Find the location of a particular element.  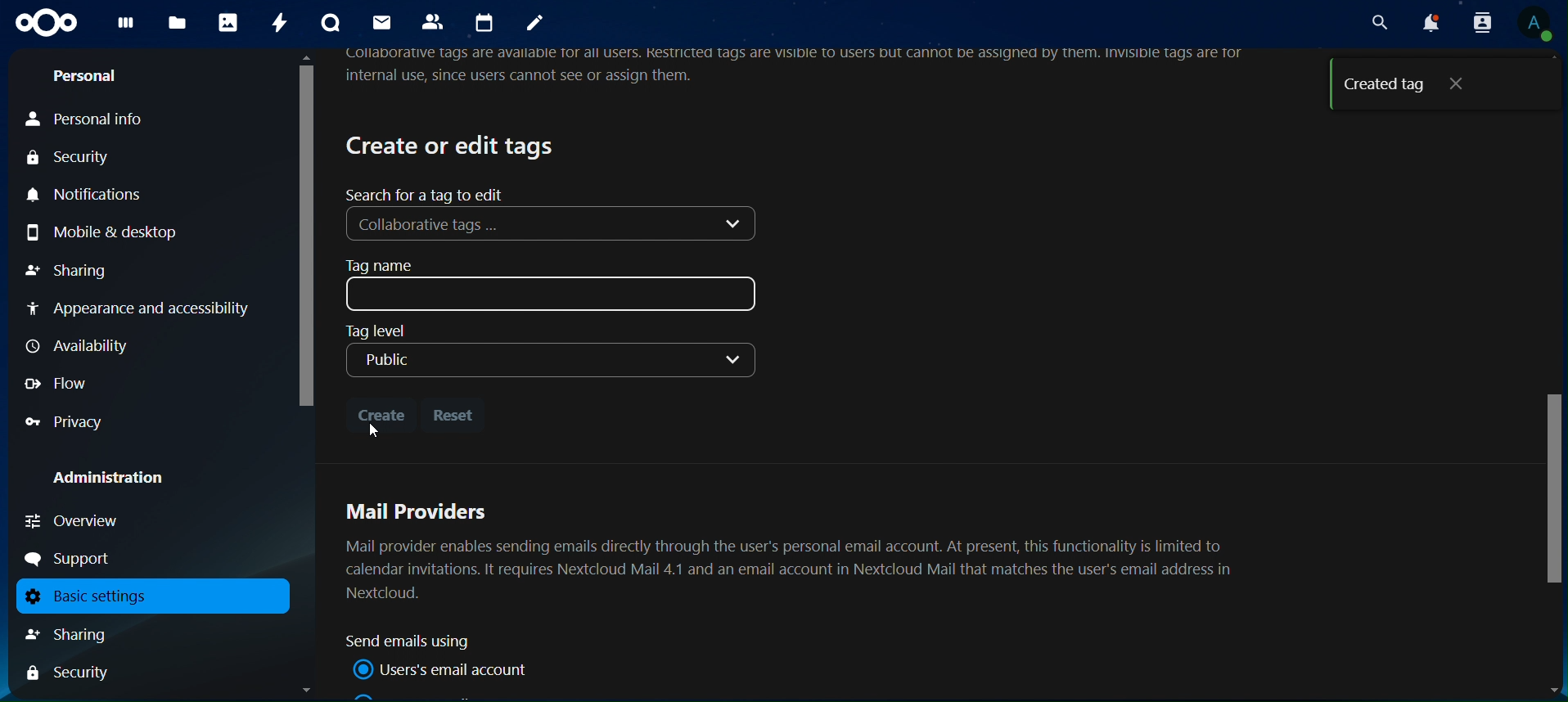

created tag is located at coordinates (1415, 85).